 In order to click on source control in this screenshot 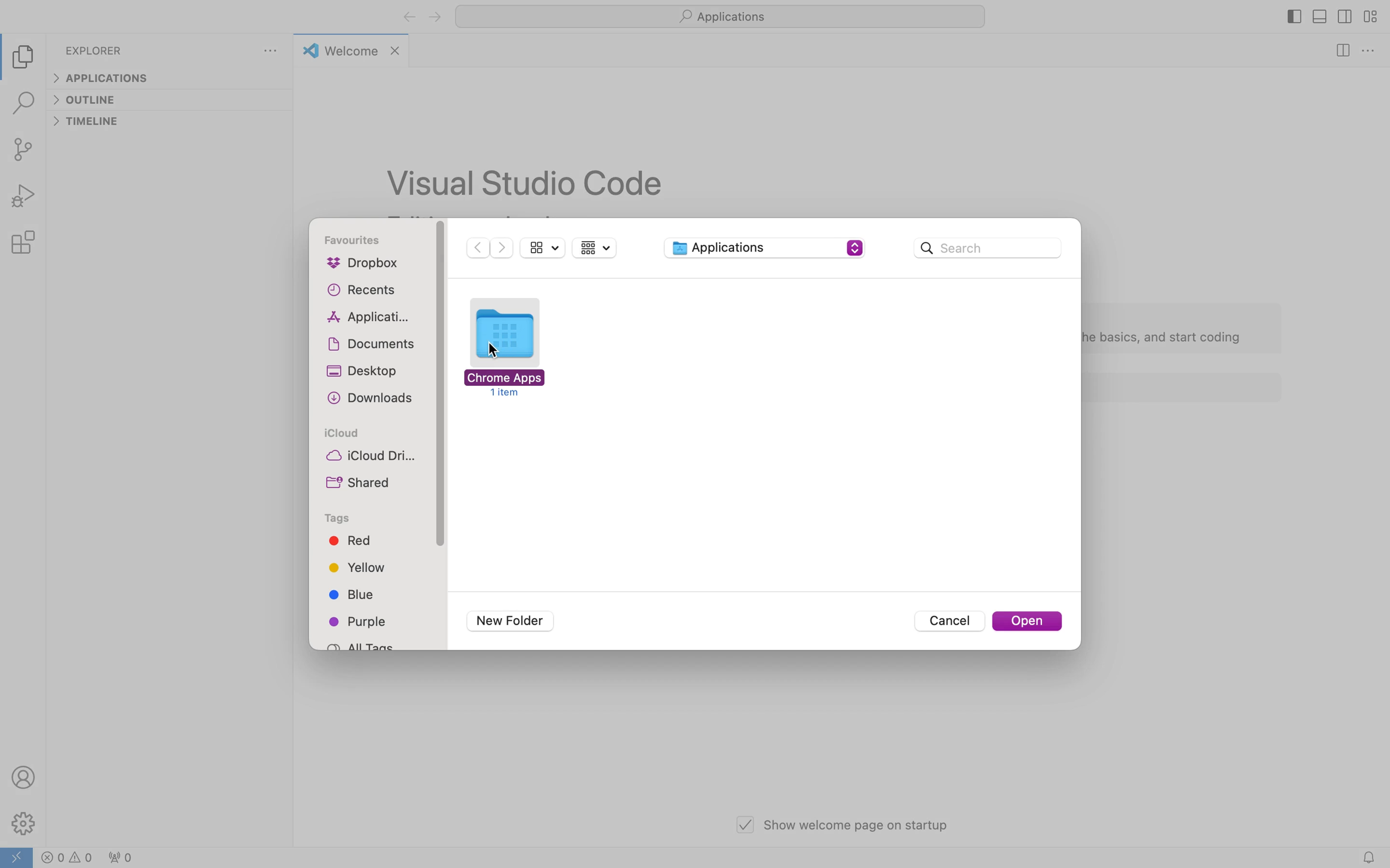, I will do `click(26, 149)`.